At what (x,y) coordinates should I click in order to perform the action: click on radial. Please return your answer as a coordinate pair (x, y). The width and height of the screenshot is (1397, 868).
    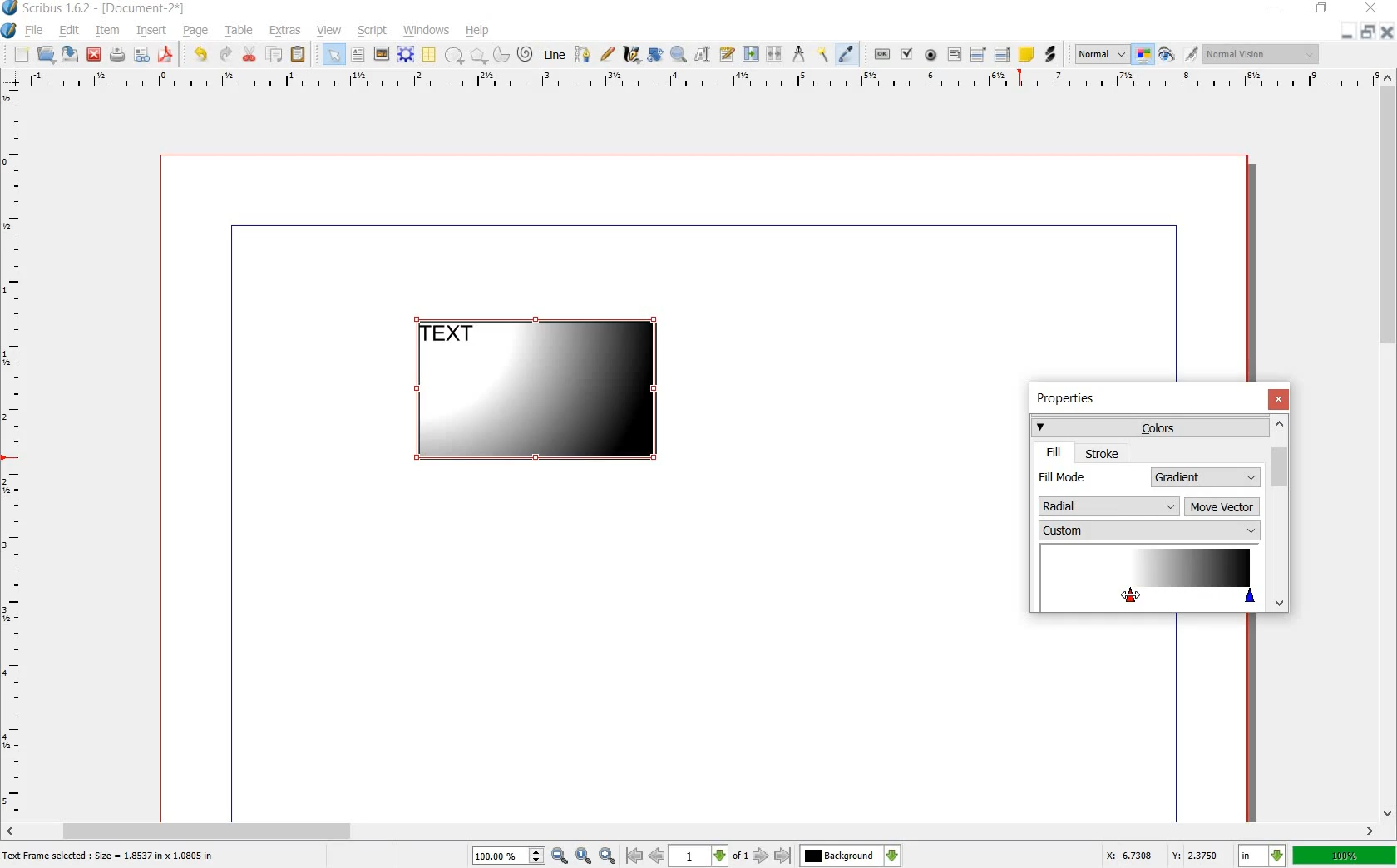
    Looking at the image, I should click on (1109, 504).